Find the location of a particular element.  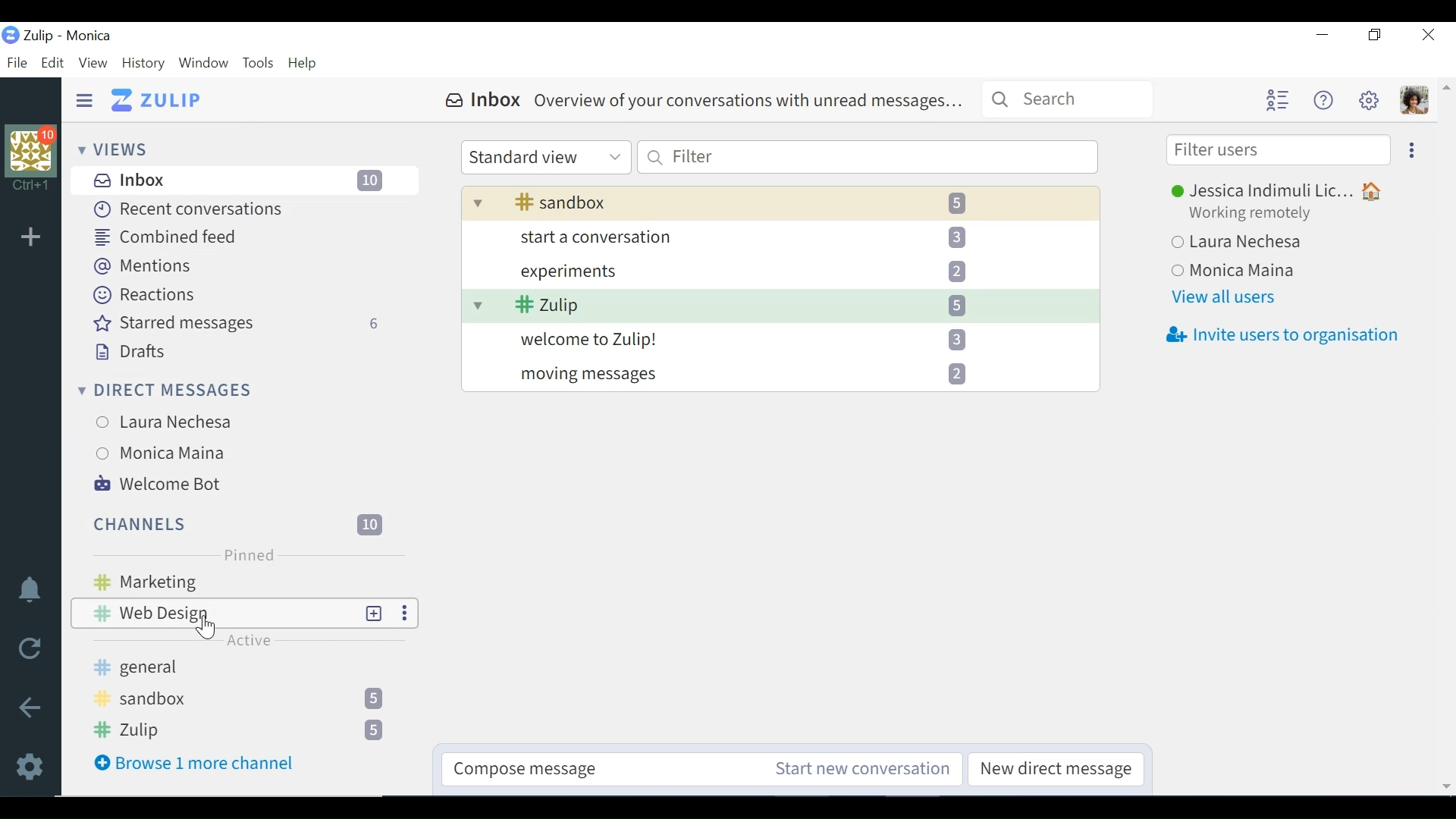

add New Topic is located at coordinates (375, 613).